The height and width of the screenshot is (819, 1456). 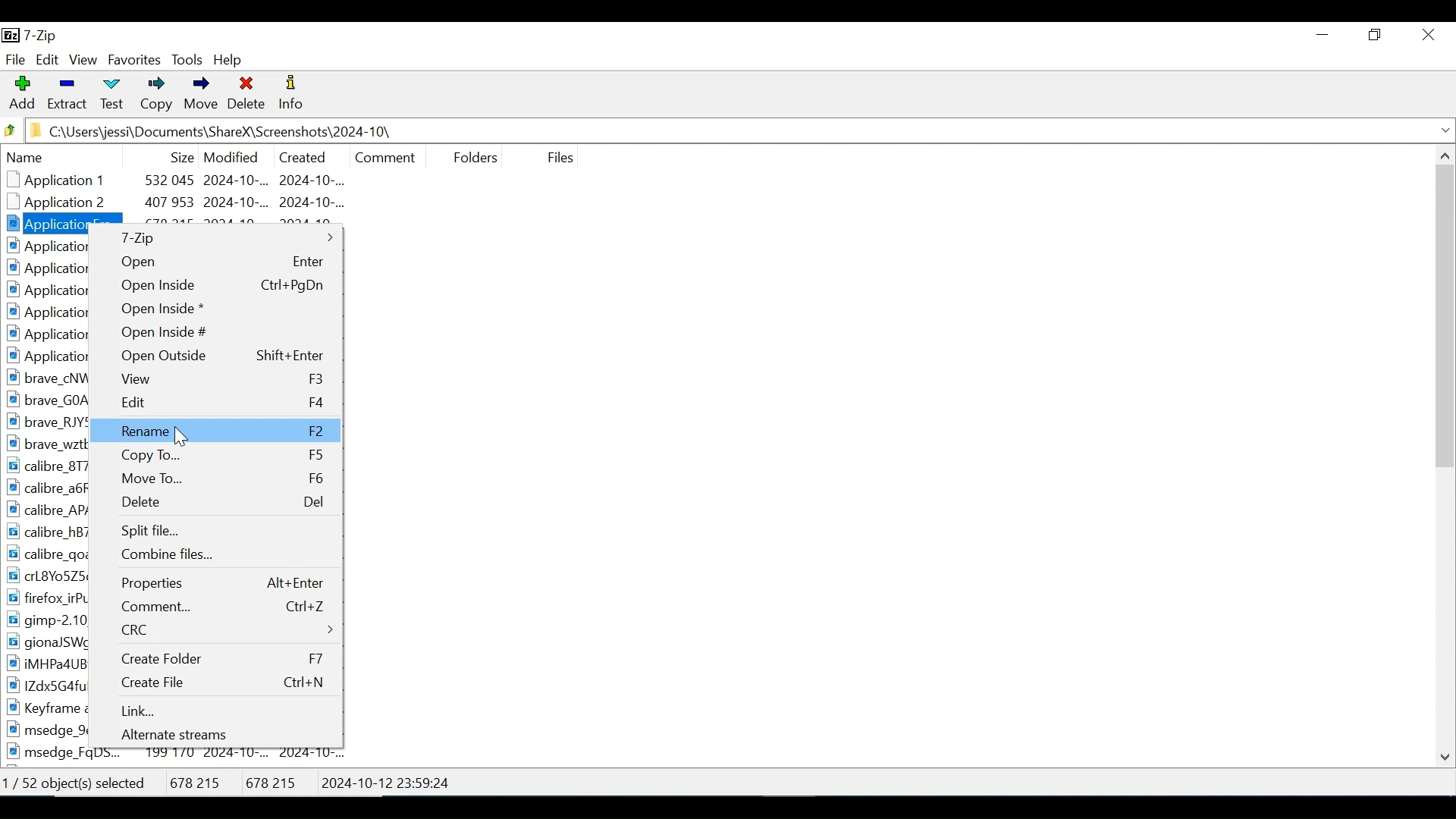 I want to click on Expand, so click(x=1444, y=130).